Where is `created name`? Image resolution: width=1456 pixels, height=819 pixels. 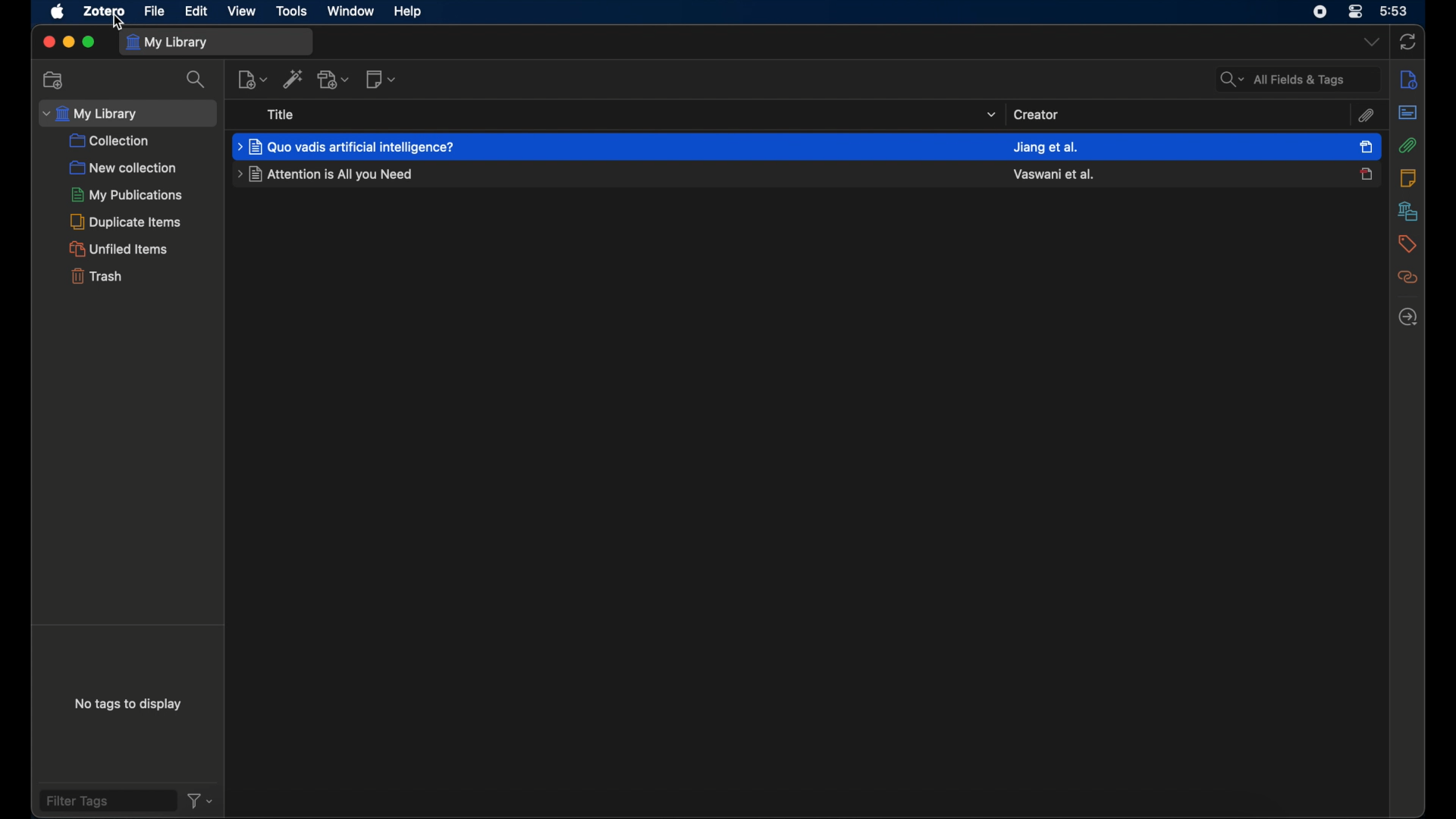 created name is located at coordinates (1046, 146).